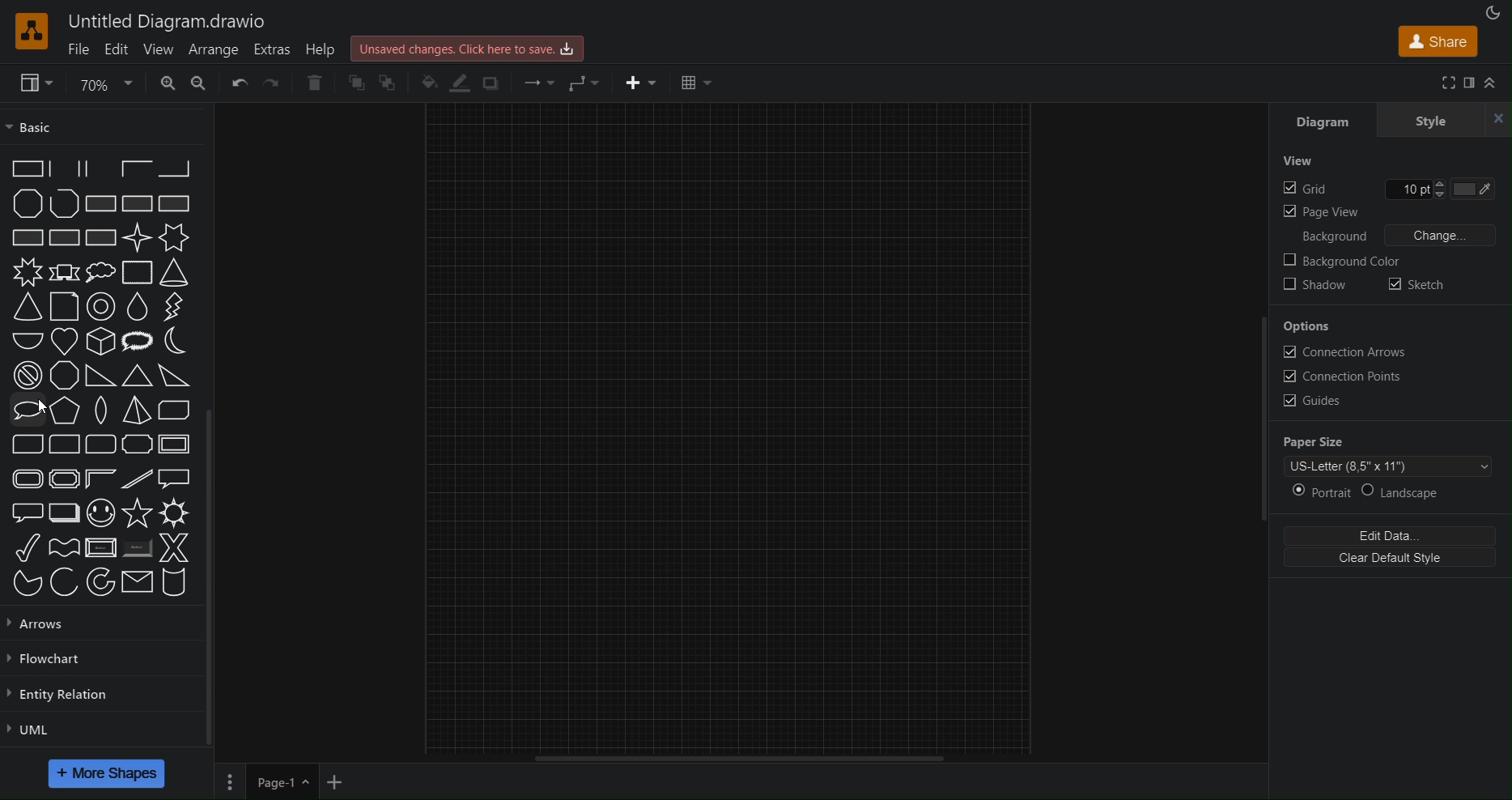 This screenshot has width=1512, height=800. Describe the element at coordinates (65, 203) in the screenshot. I see `Polyline` at that location.